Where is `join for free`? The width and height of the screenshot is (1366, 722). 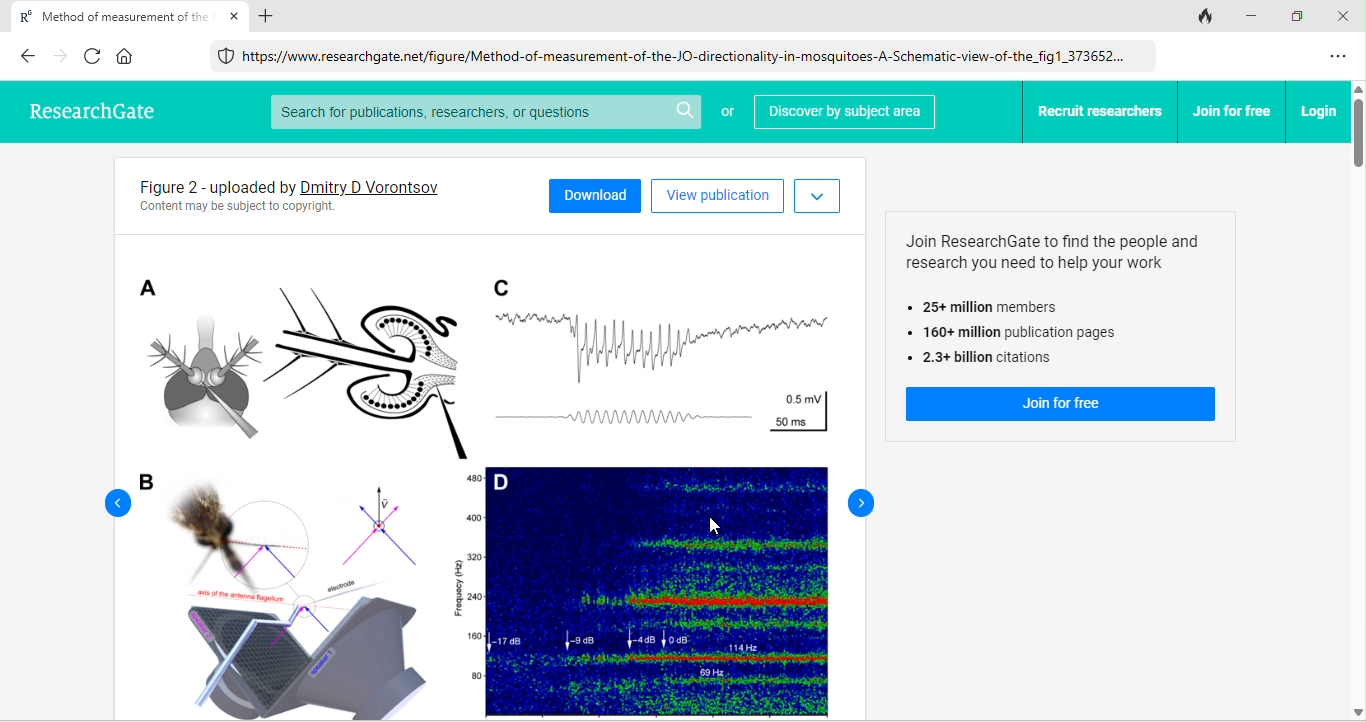 join for free is located at coordinates (1060, 405).